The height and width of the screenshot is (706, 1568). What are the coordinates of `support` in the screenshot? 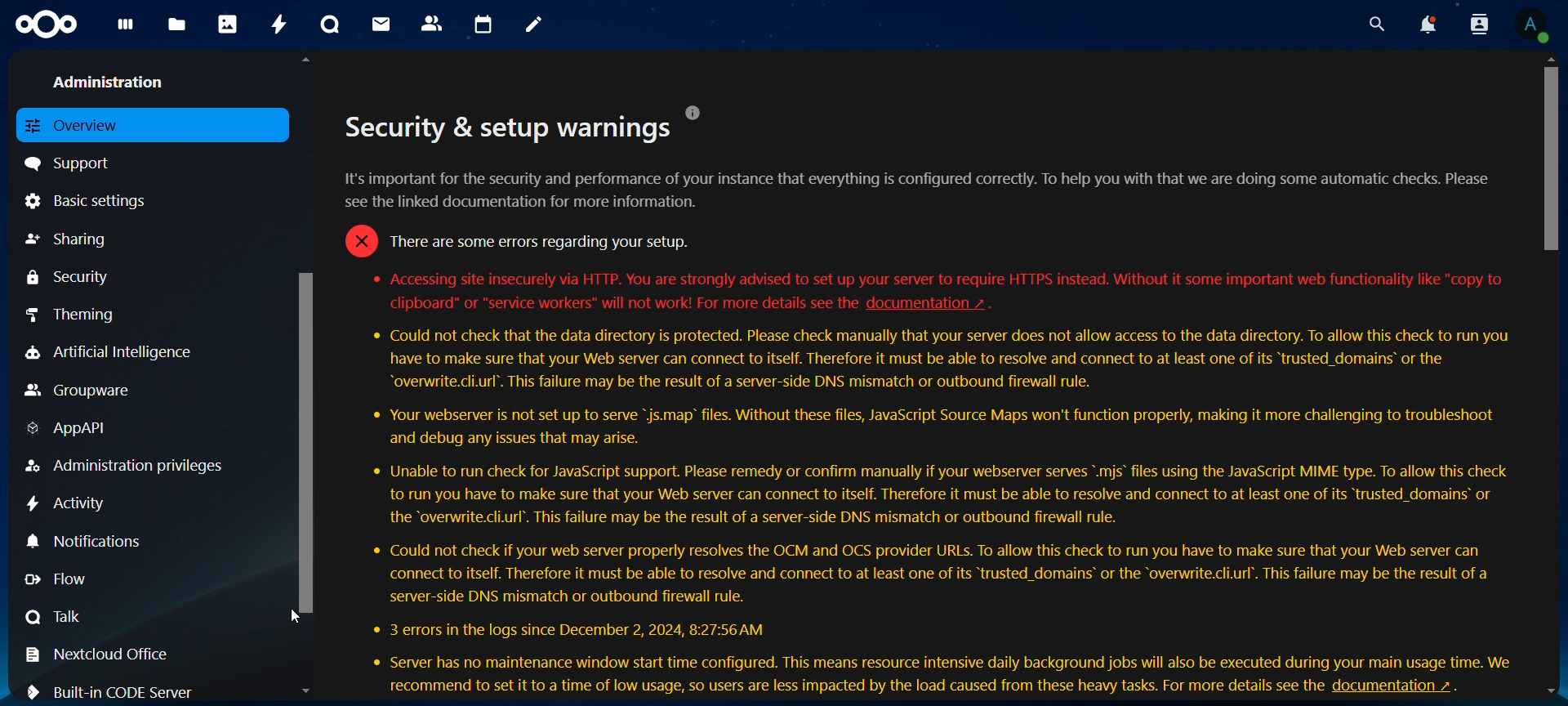 It's located at (74, 162).